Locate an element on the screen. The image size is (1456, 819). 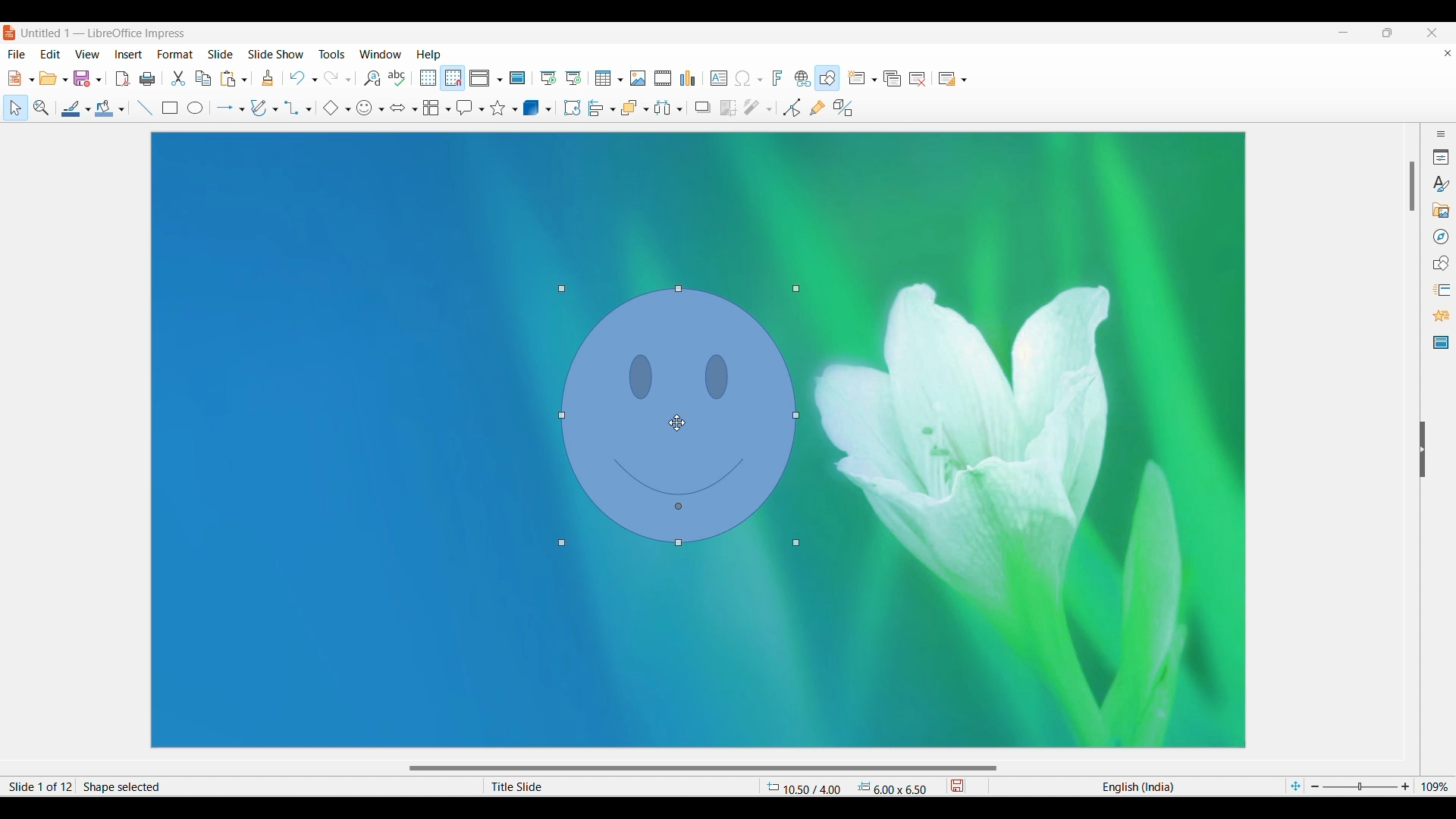
Export directly as PDF is located at coordinates (122, 78).